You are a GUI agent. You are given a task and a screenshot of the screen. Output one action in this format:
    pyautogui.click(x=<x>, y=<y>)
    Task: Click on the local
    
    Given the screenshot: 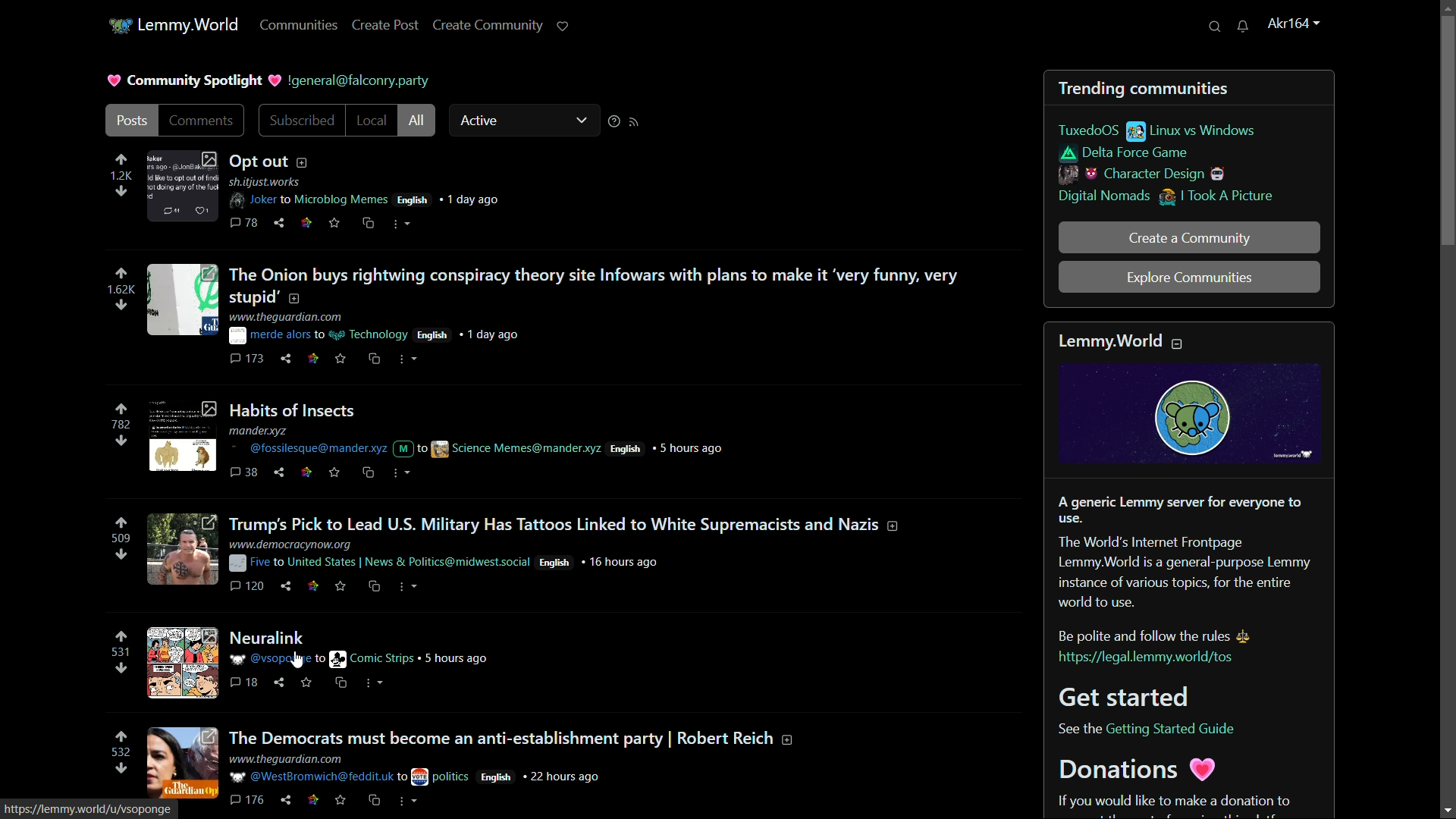 What is the action you would take?
    pyautogui.click(x=374, y=121)
    